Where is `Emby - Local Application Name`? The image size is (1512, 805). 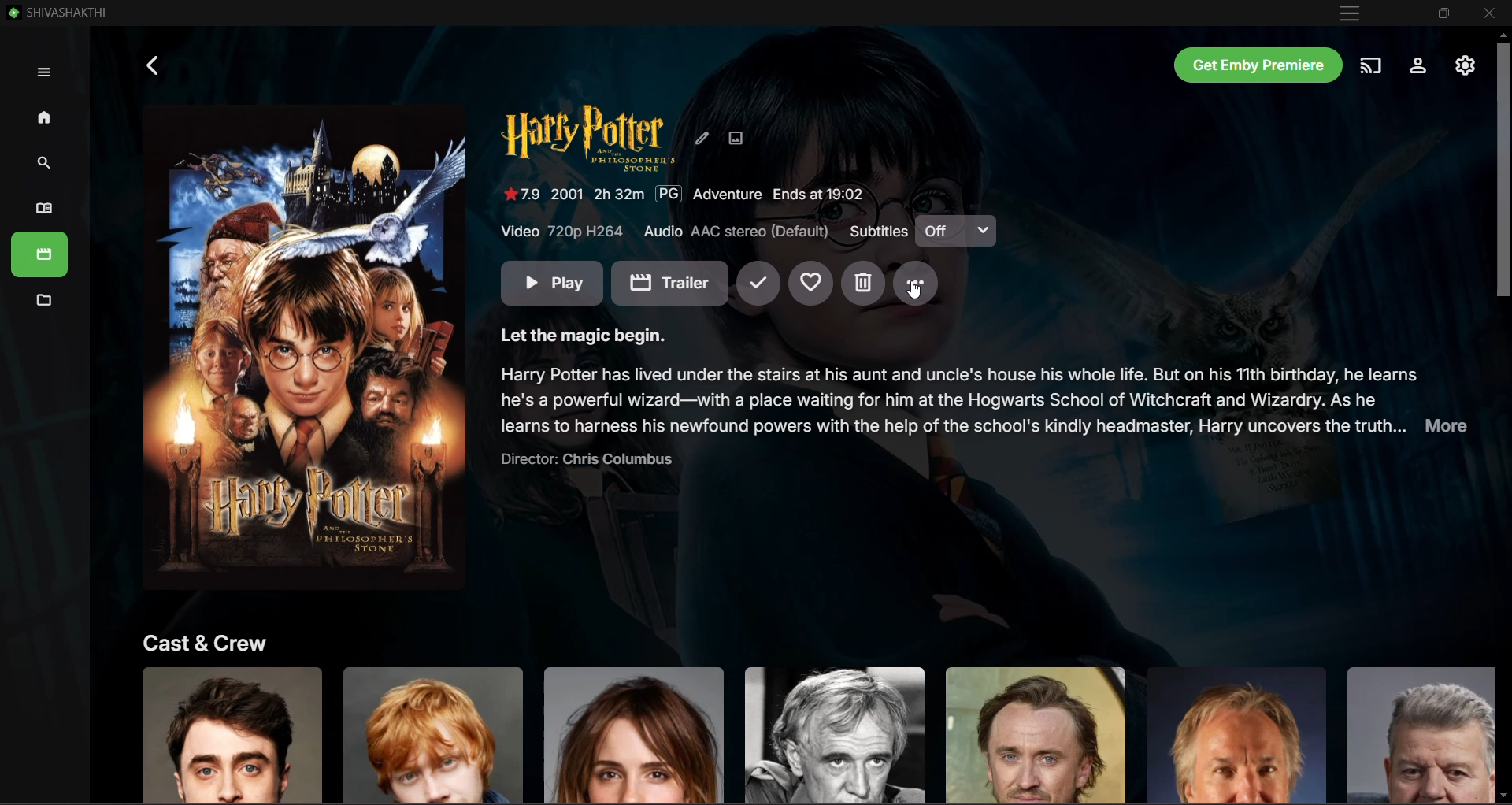 Emby - Local Application Name is located at coordinates (61, 12).